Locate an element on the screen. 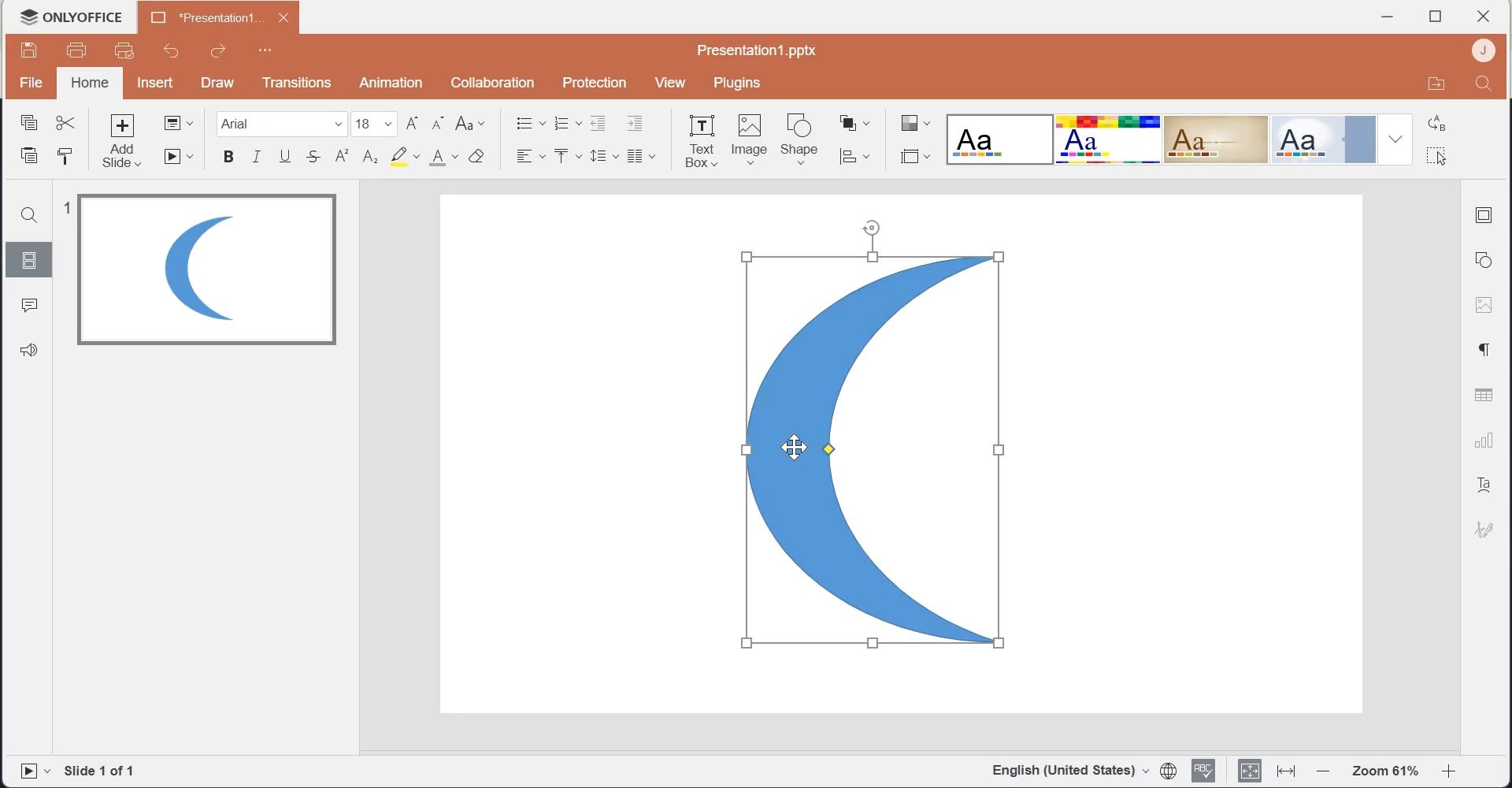 This screenshot has width=1512, height=788. Search is located at coordinates (1483, 84).